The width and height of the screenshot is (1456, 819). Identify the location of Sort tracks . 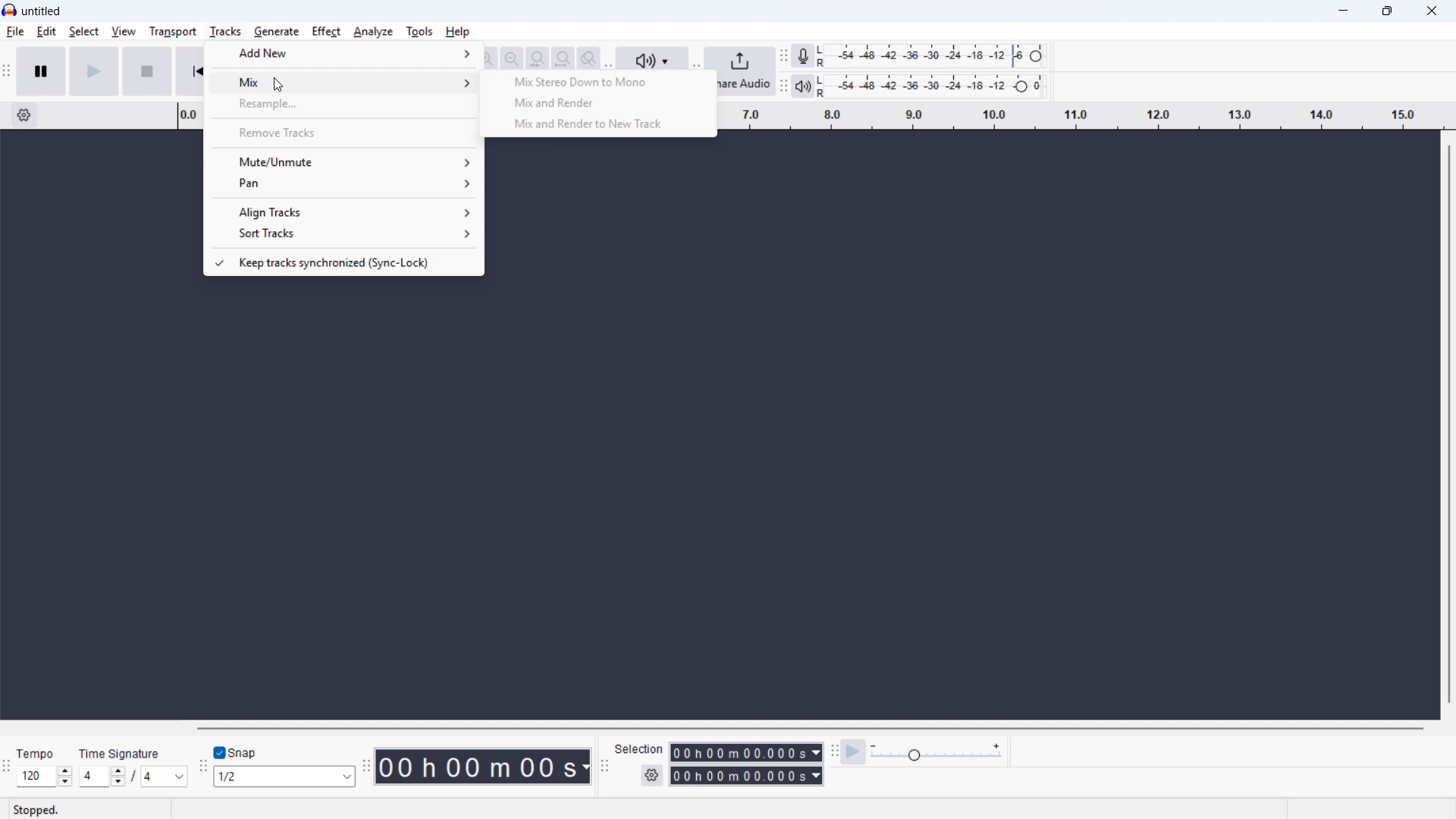
(342, 234).